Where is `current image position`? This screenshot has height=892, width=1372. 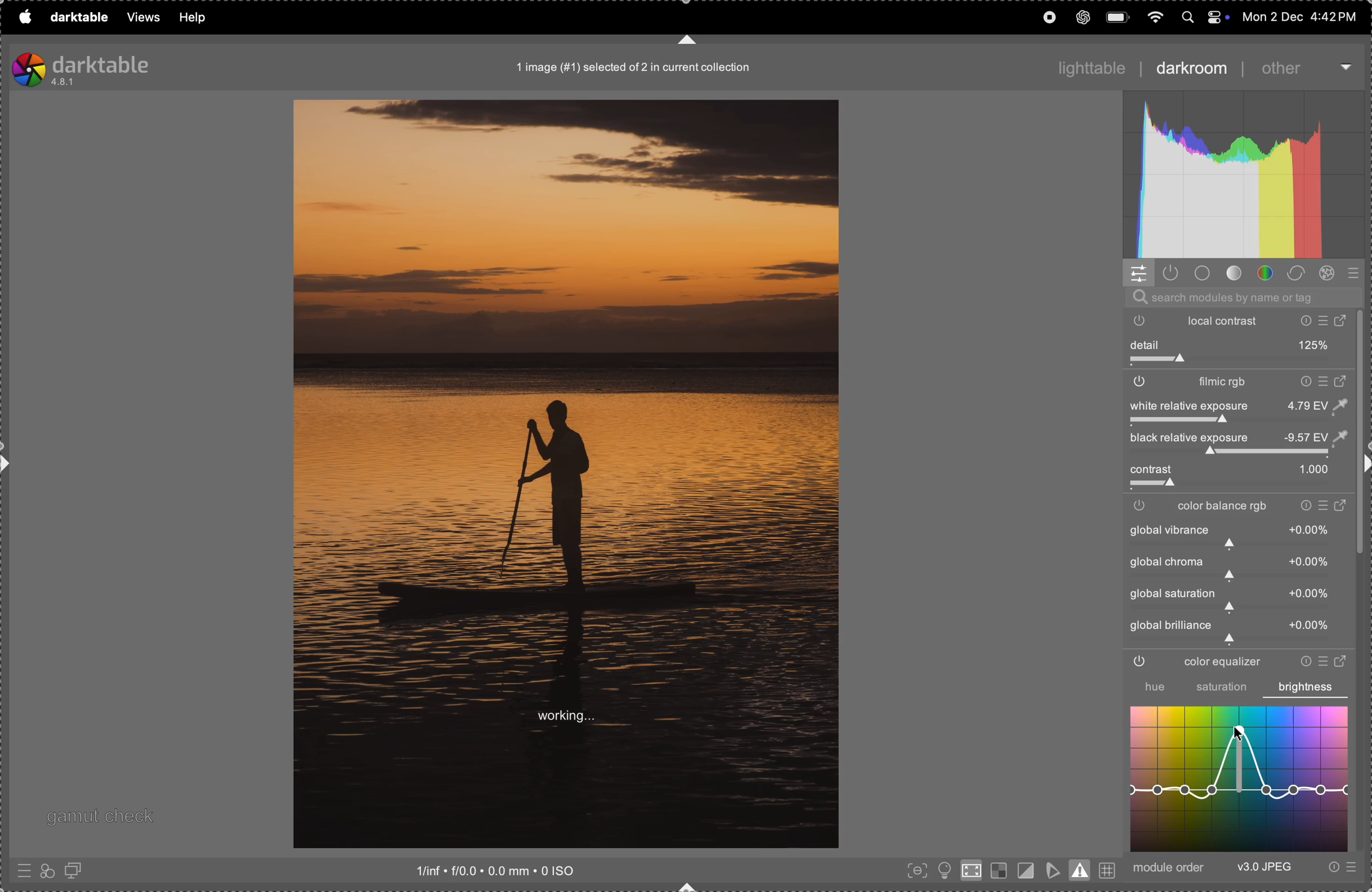 current image position is located at coordinates (636, 69).